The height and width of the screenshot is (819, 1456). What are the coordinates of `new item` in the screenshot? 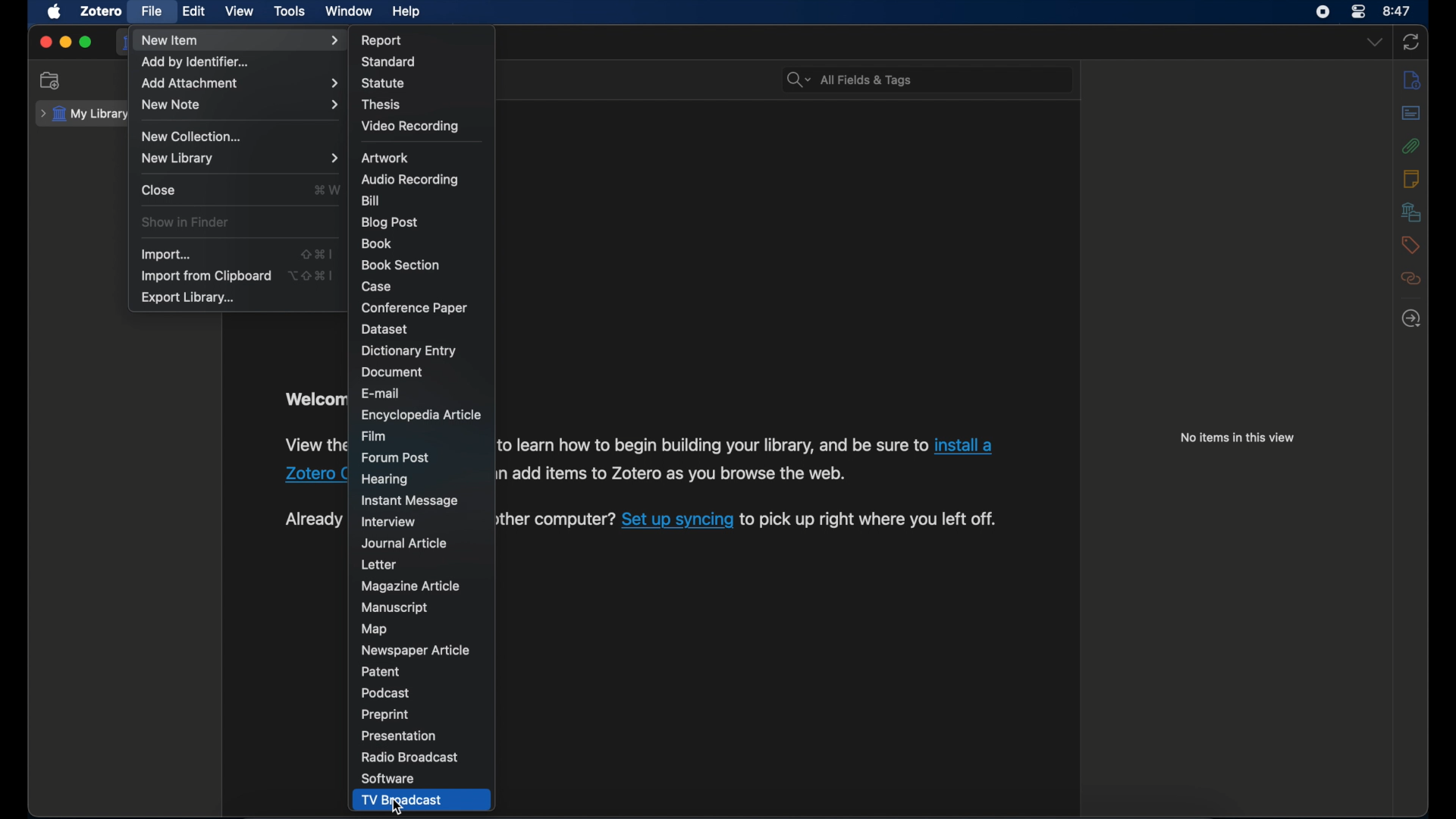 It's located at (242, 40).